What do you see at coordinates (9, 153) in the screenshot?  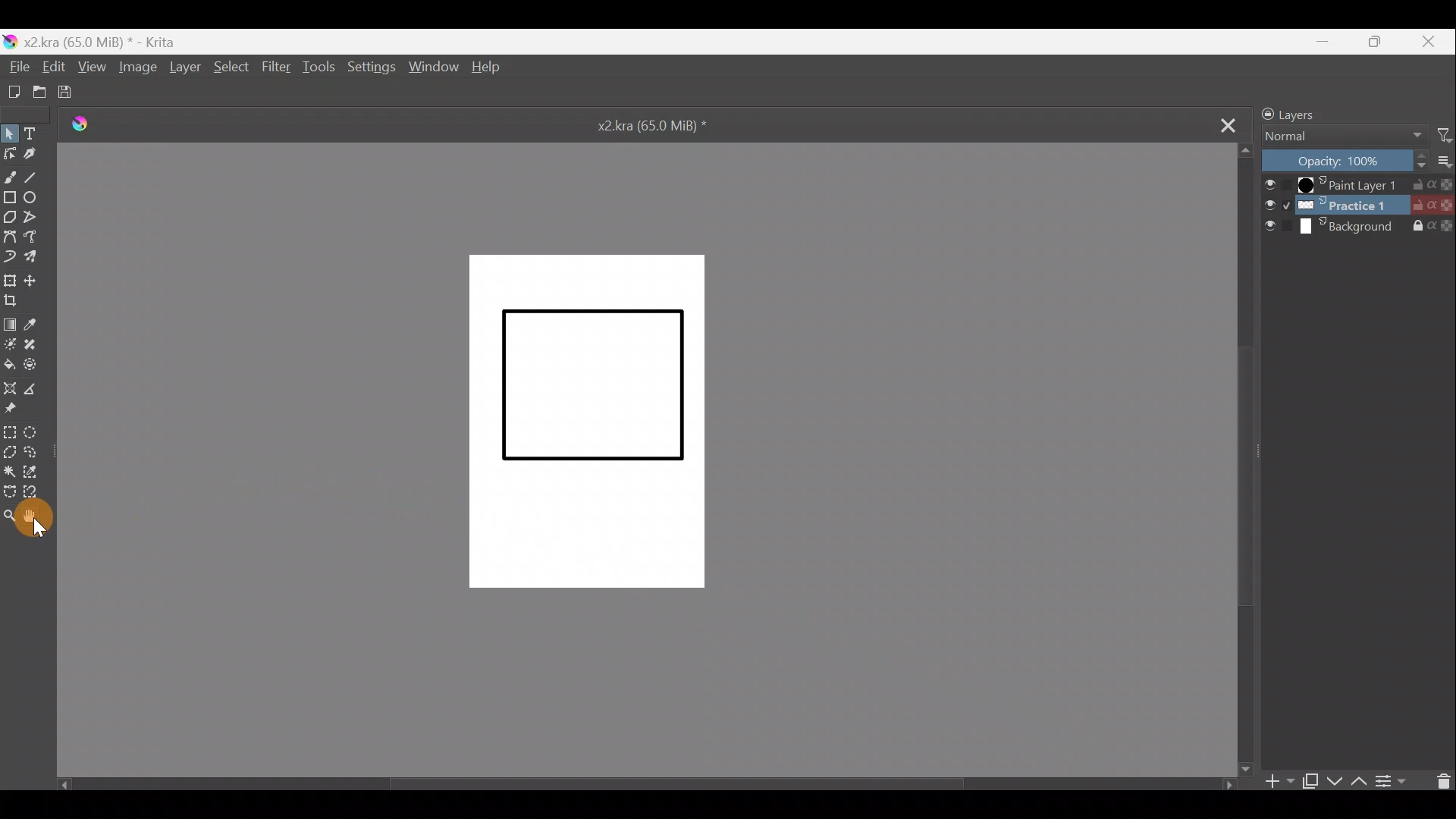 I see `Edit shapes tool` at bounding box center [9, 153].